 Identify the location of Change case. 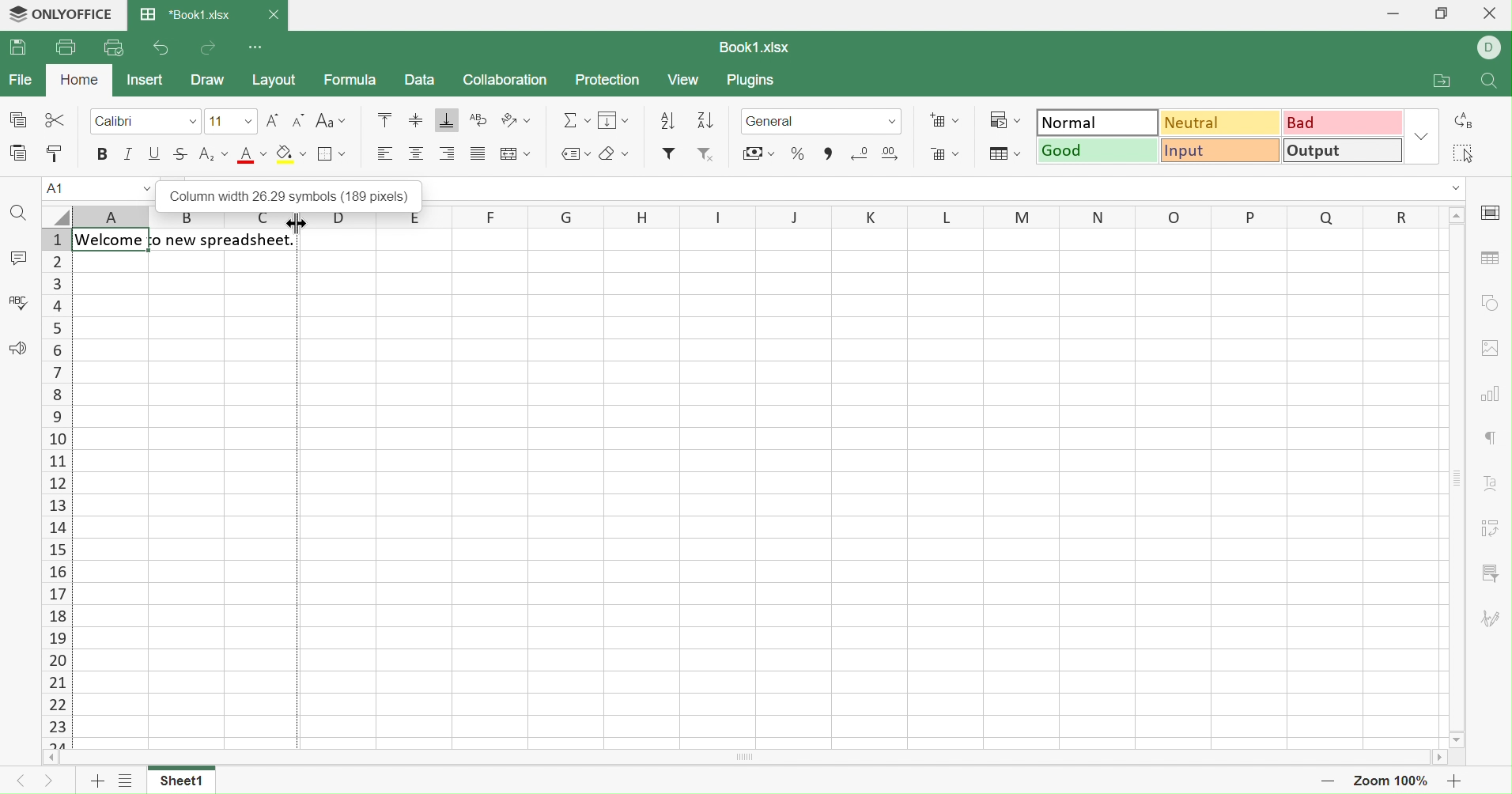
(332, 120).